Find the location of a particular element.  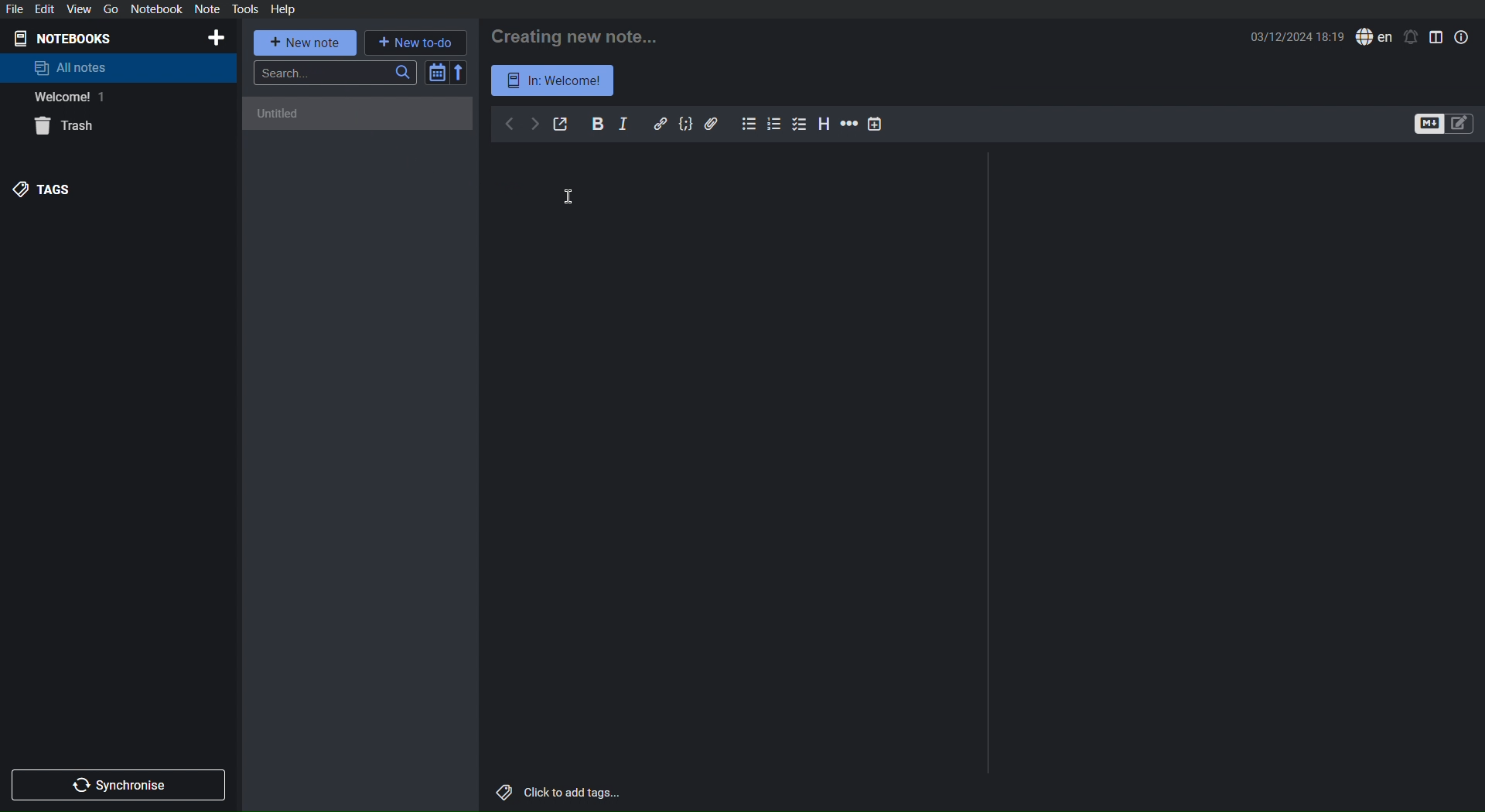

Edit is located at coordinates (47, 9).